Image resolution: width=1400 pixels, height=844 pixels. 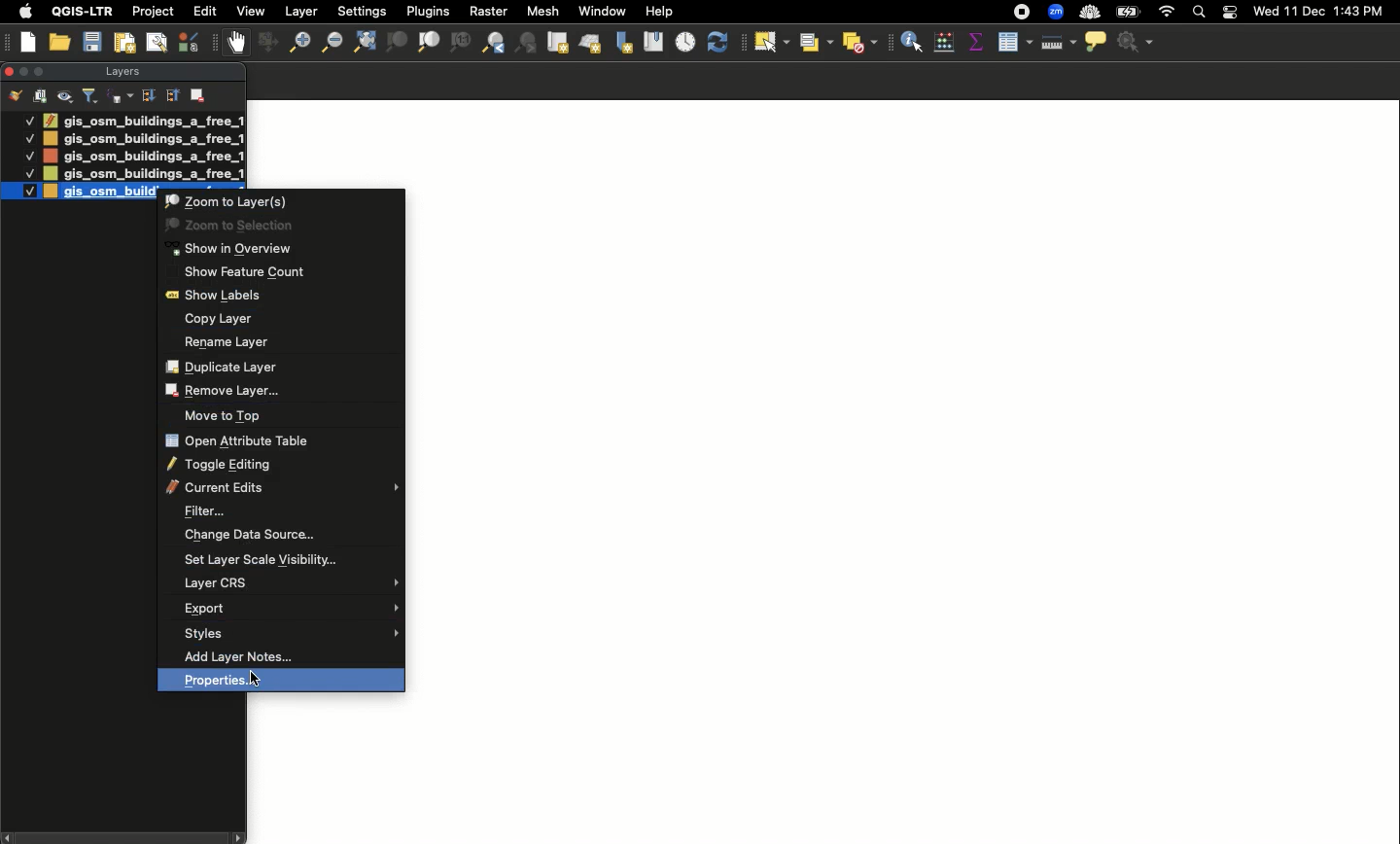 I want to click on Maximize, so click(x=43, y=71).